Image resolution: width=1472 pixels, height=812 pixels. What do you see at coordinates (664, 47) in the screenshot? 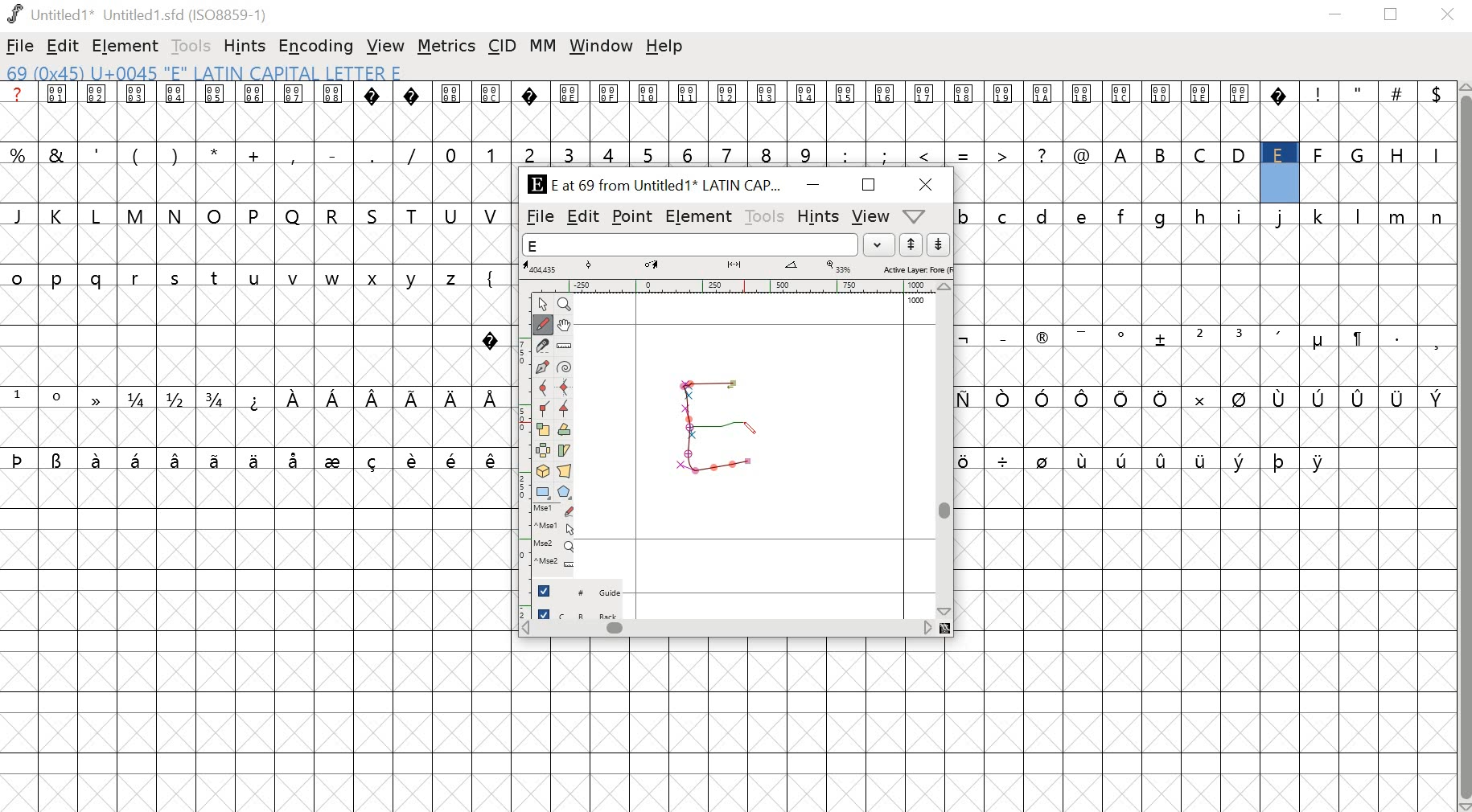
I see `help` at bounding box center [664, 47].